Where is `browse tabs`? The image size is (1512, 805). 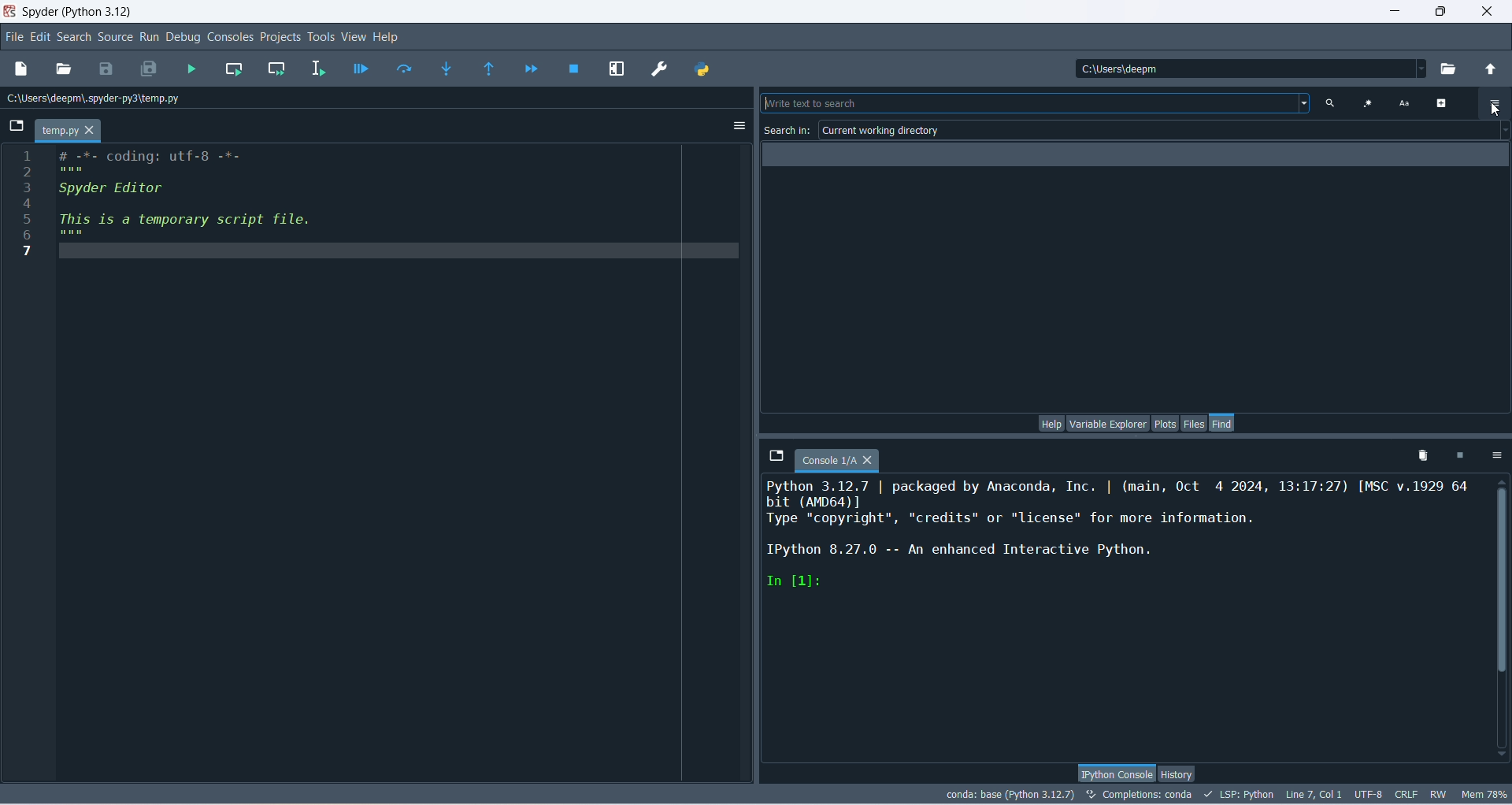
browse tabs is located at coordinates (775, 454).